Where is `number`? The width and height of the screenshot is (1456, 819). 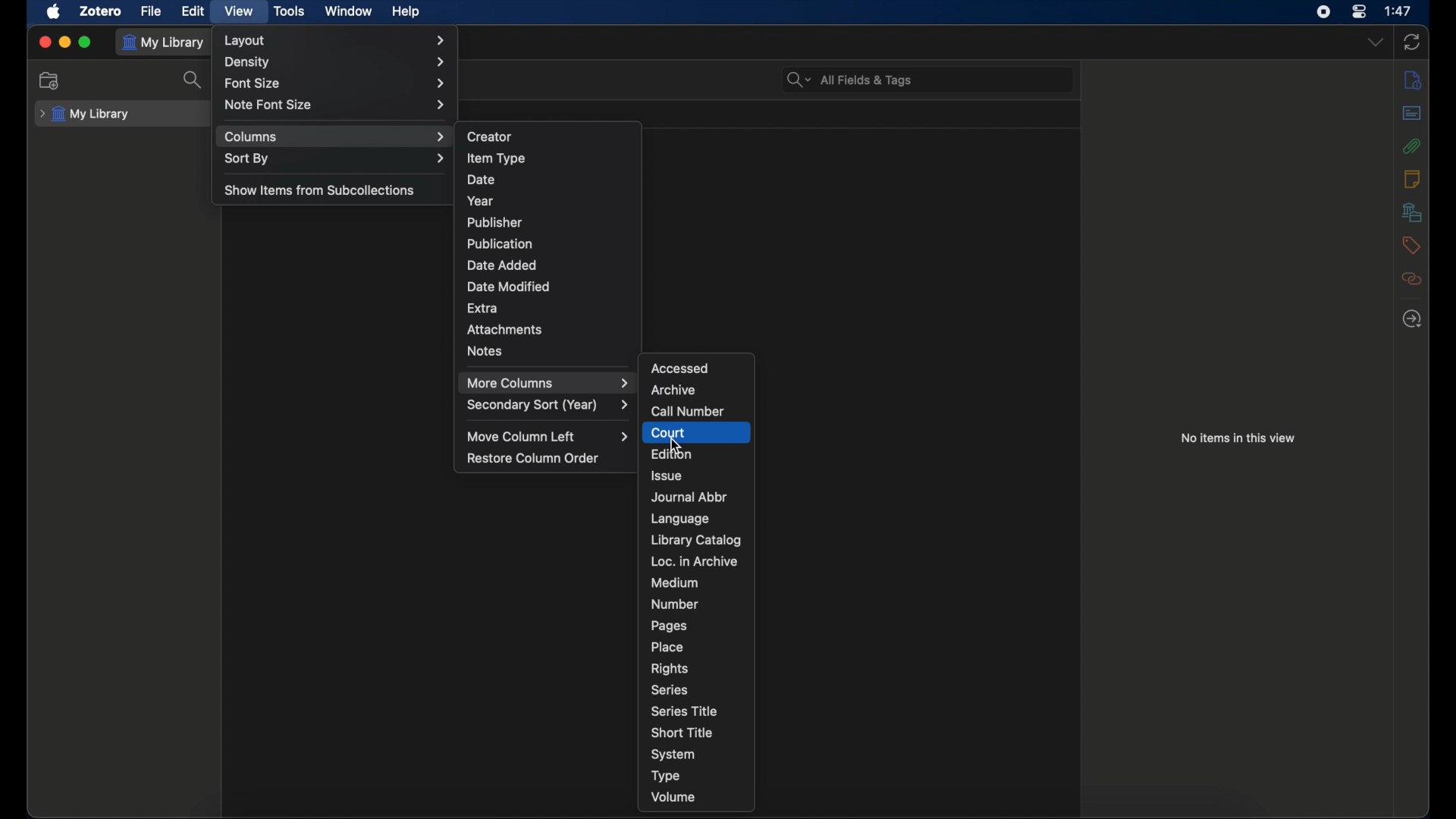 number is located at coordinates (675, 604).